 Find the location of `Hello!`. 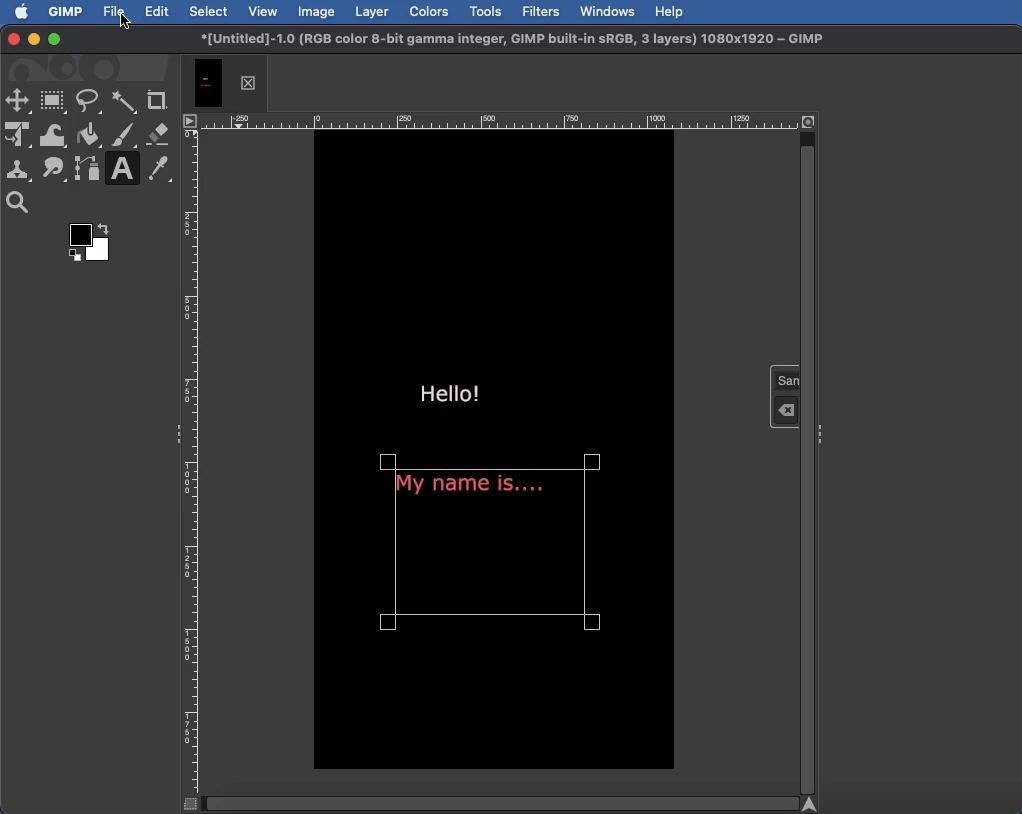

Hello! is located at coordinates (451, 390).